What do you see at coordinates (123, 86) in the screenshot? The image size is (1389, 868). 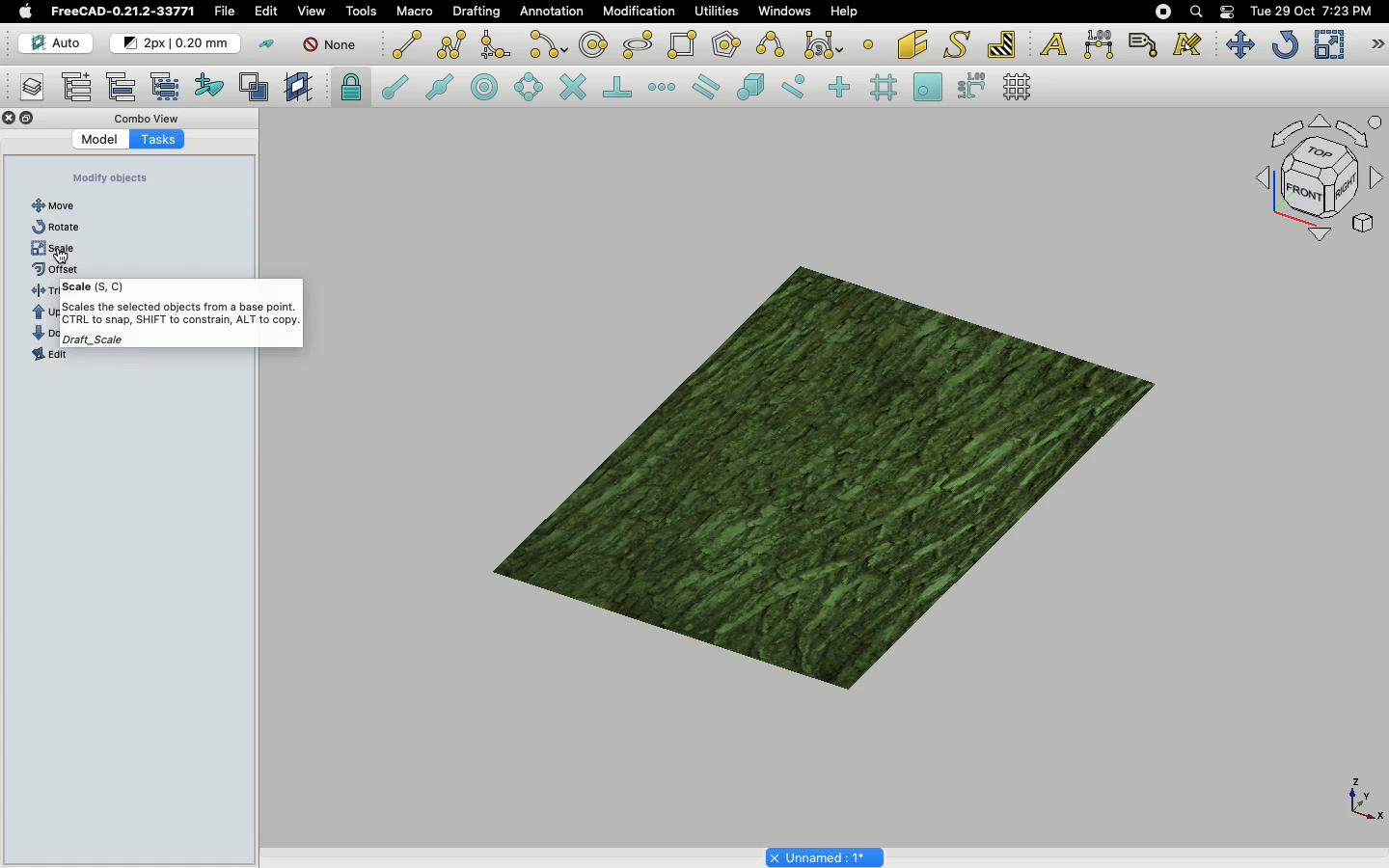 I see `Move to group` at bounding box center [123, 86].